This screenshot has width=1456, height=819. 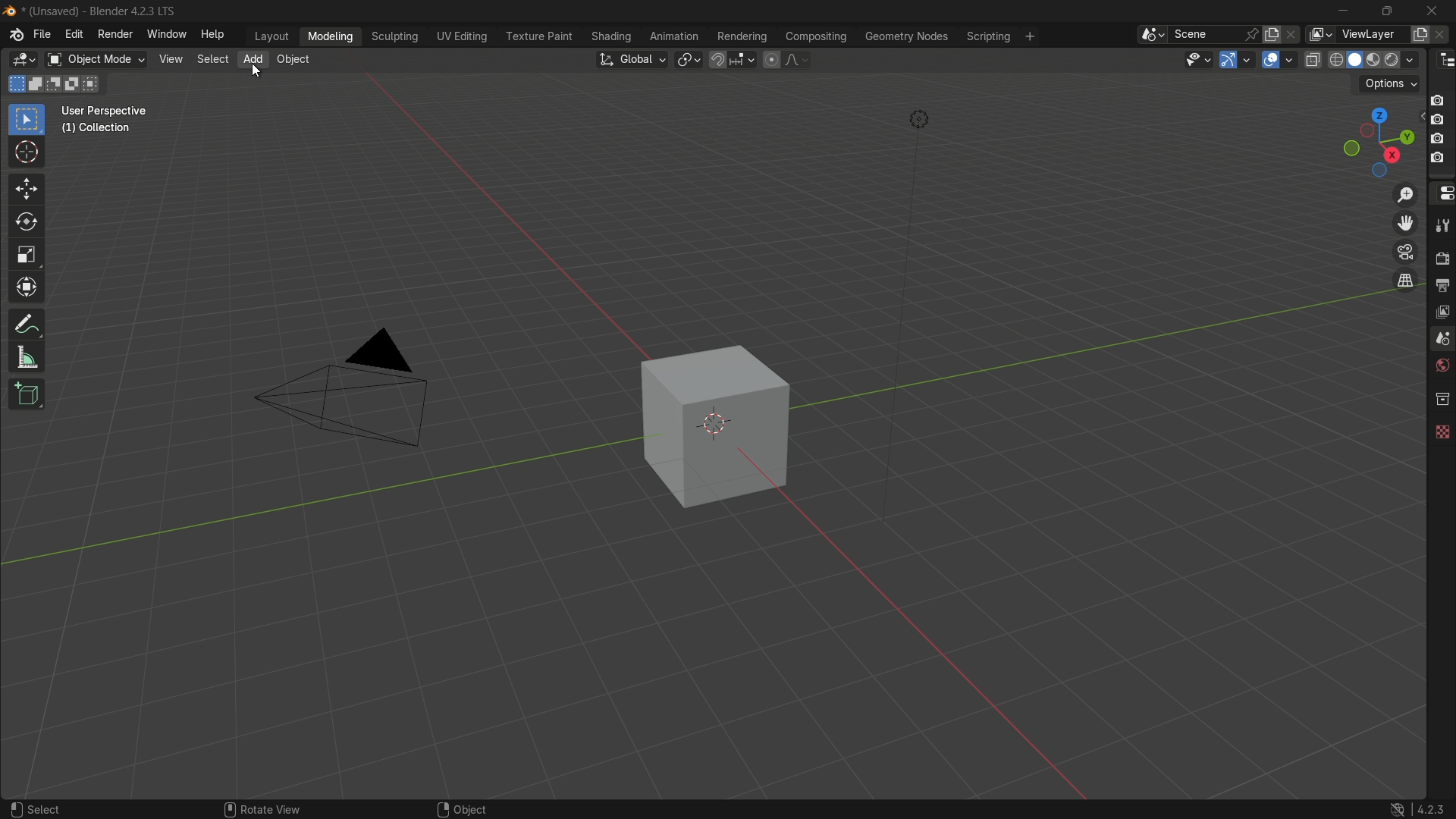 What do you see at coordinates (923, 118) in the screenshot?
I see `light` at bounding box center [923, 118].